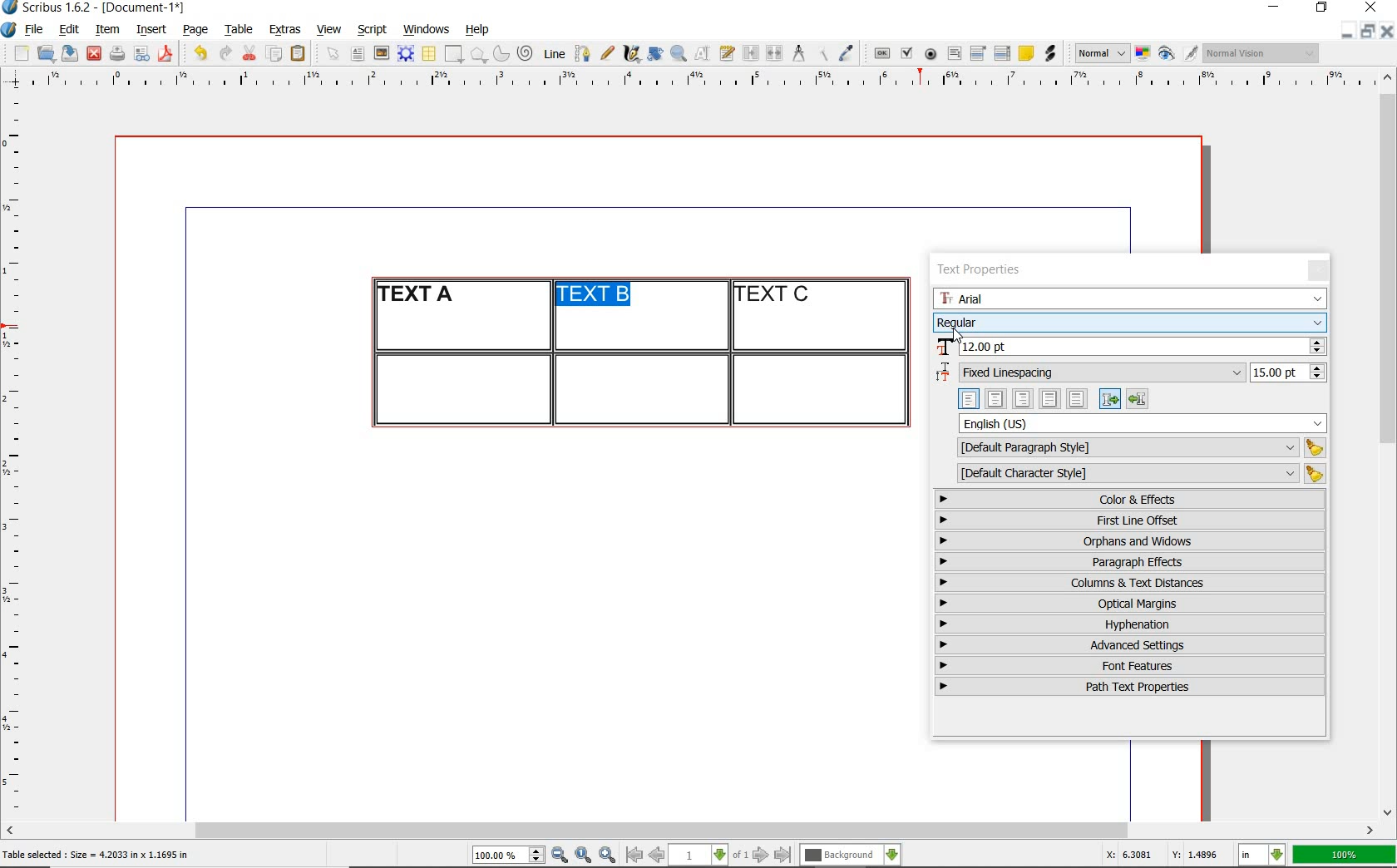  What do you see at coordinates (96, 854) in the screenshot?
I see `Table selected : Size = 4.2033 in x 1.1695 in` at bounding box center [96, 854].